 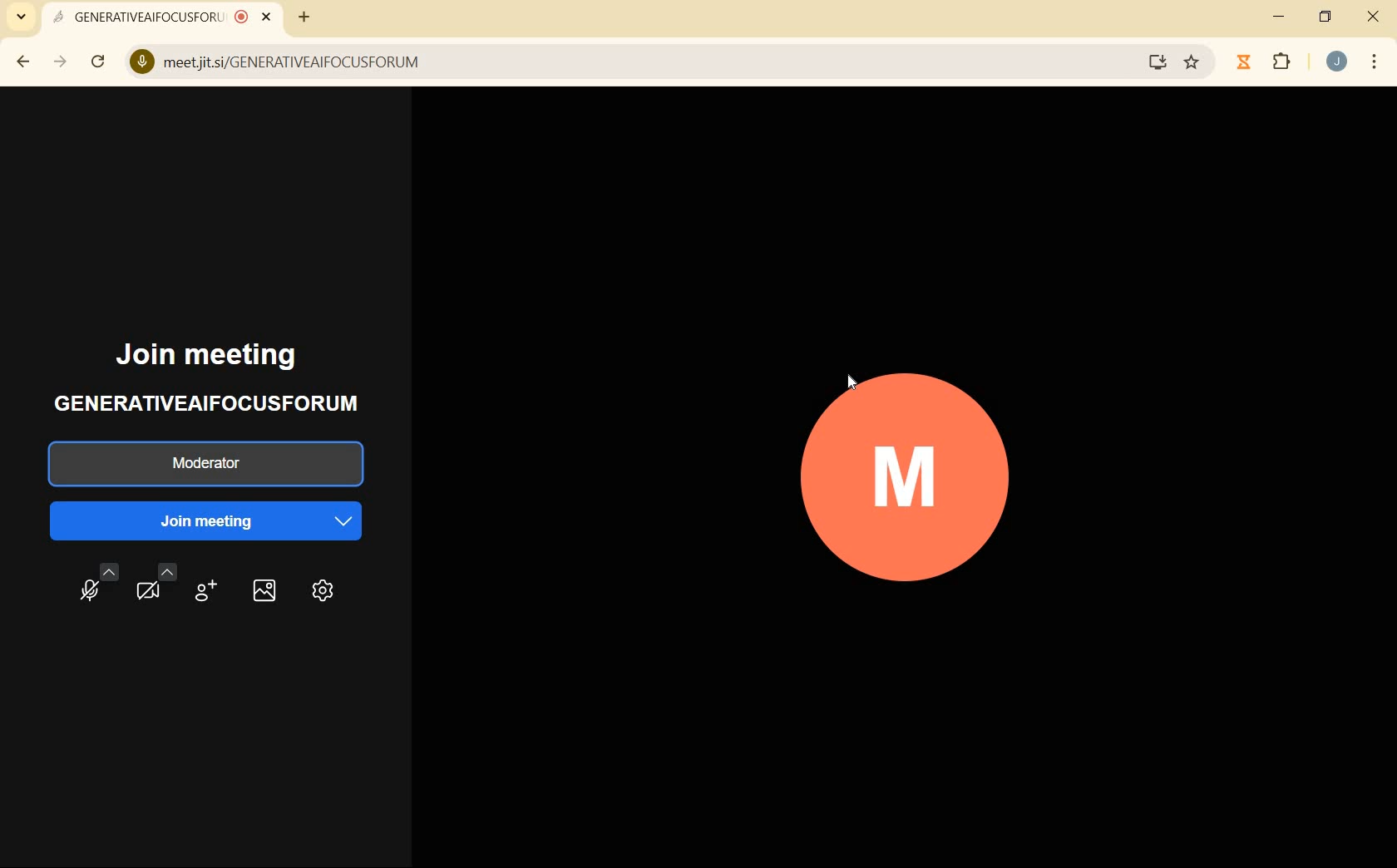 What do you see at coordinates (18, 17) in the screenshot?
I see `SEARCH TABS` at bounding box center [18, 17].